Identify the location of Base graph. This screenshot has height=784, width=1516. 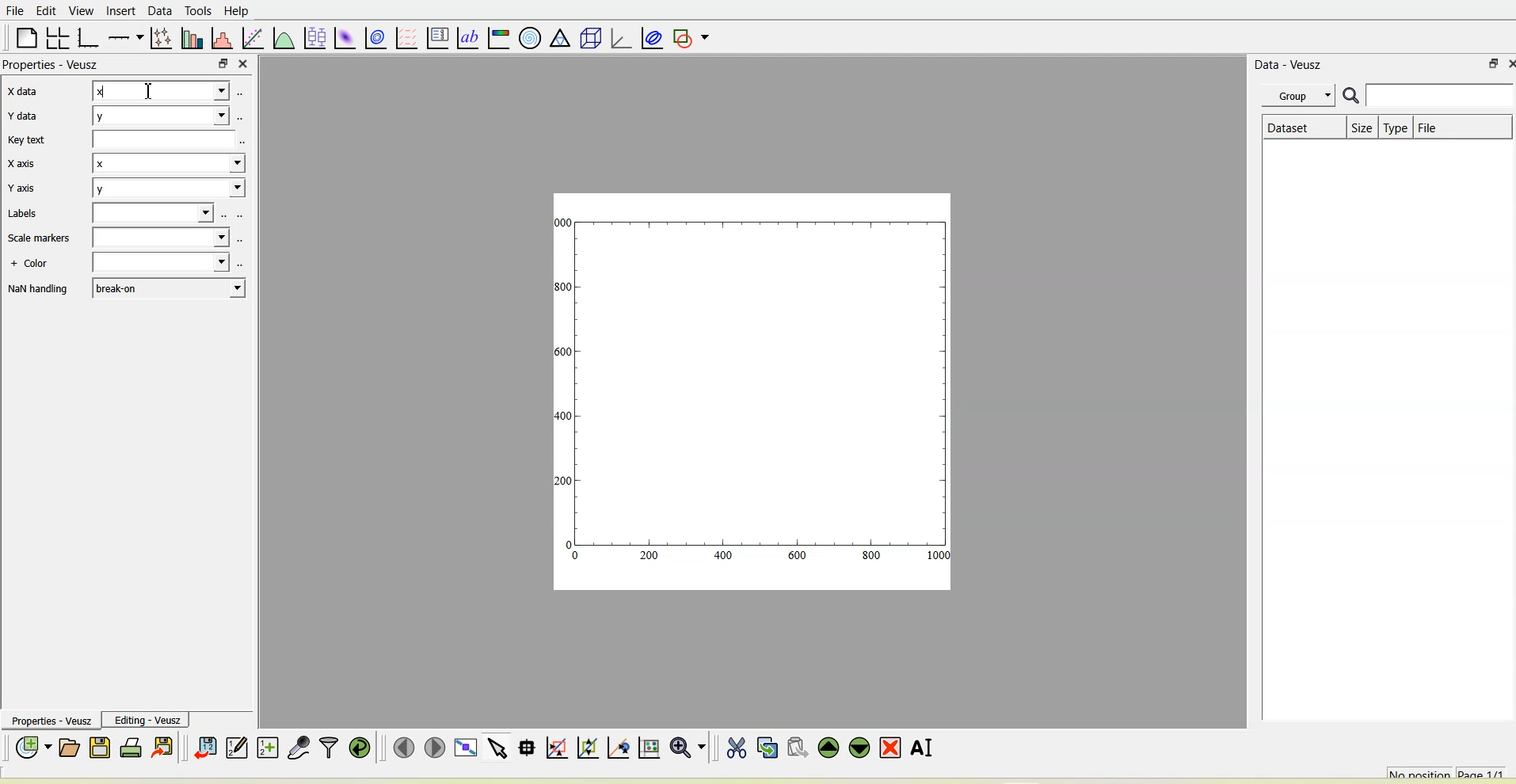
(87, 38).